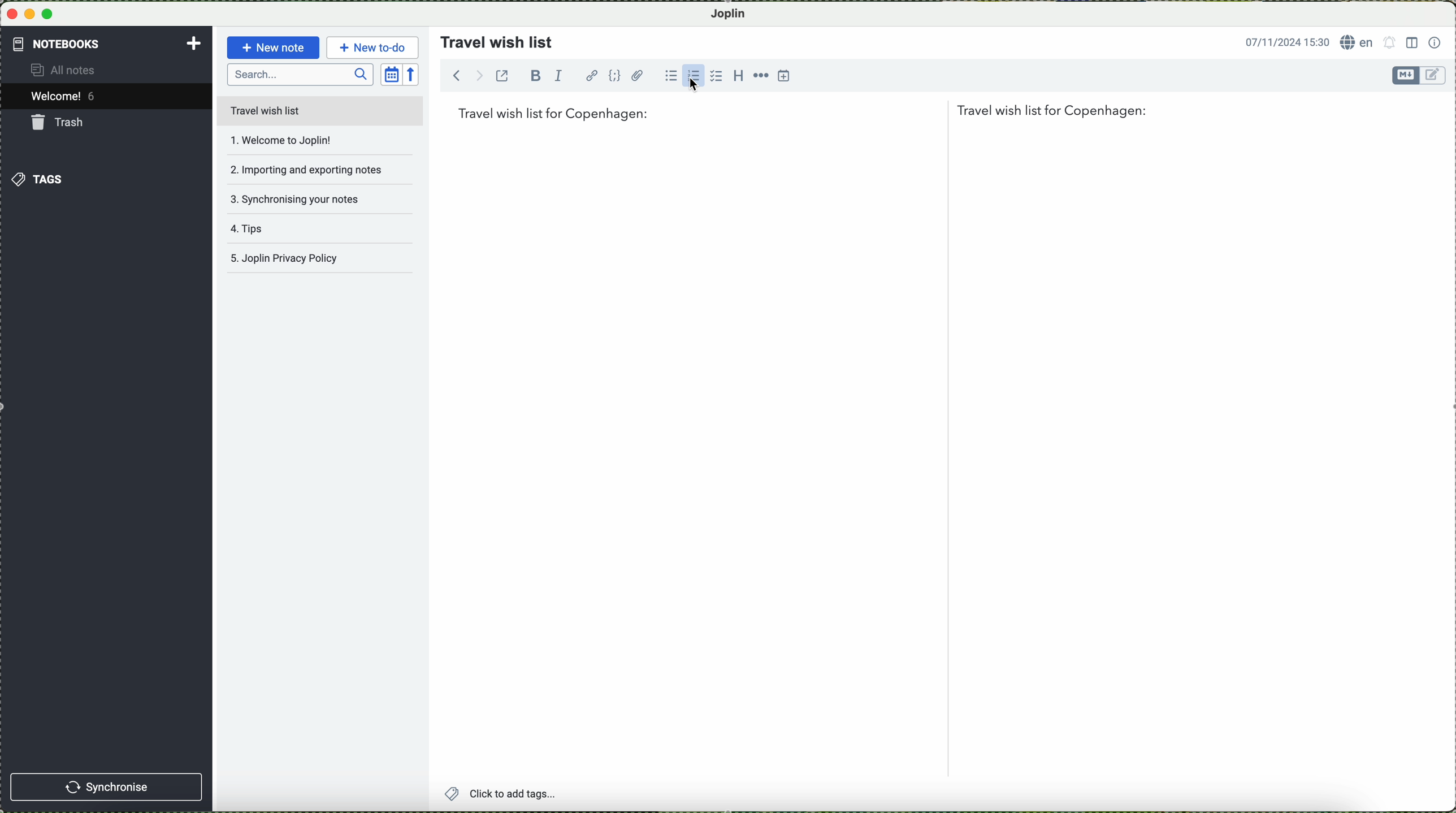  I want to click on bulleted list, so click(670, 76).